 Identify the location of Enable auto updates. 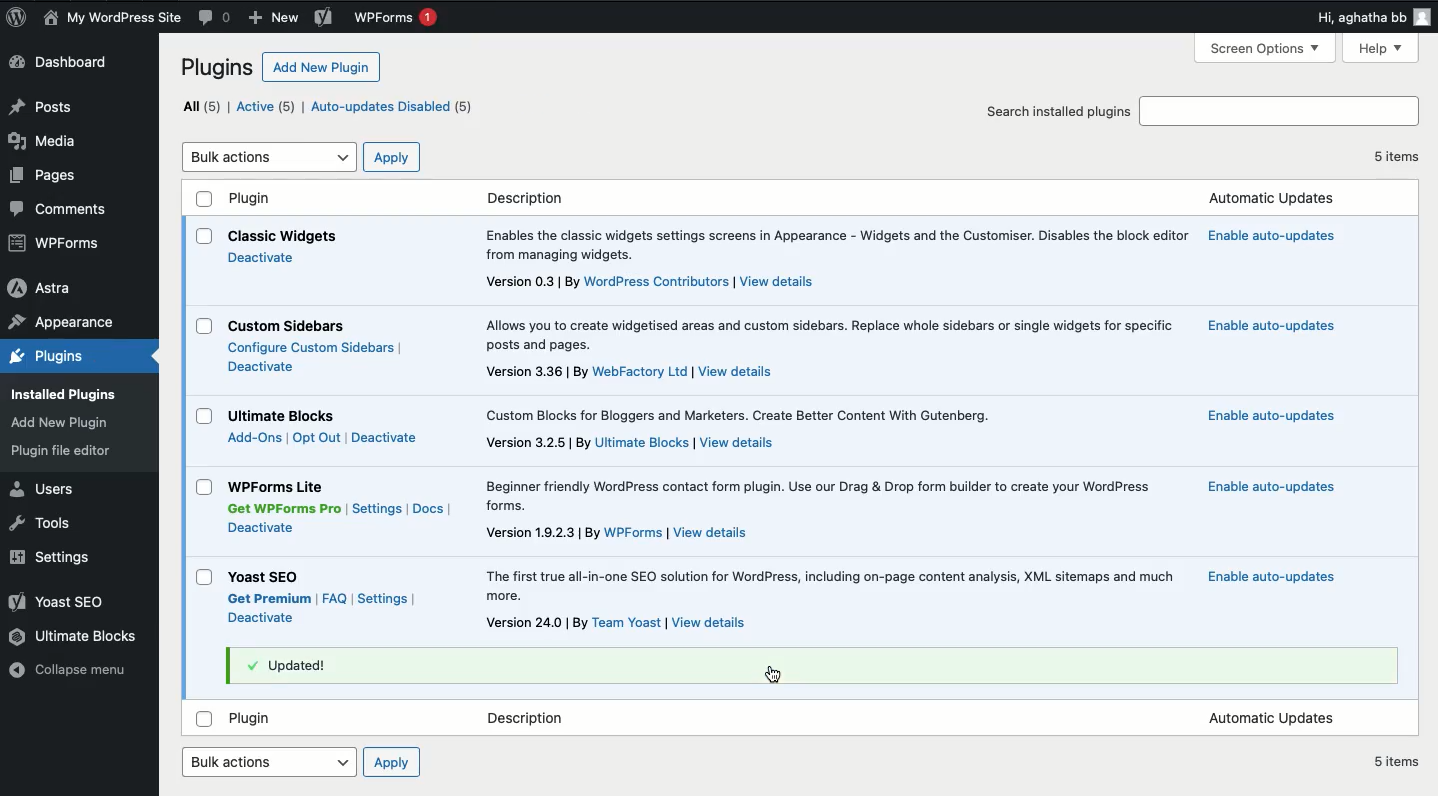
(1270, 414).